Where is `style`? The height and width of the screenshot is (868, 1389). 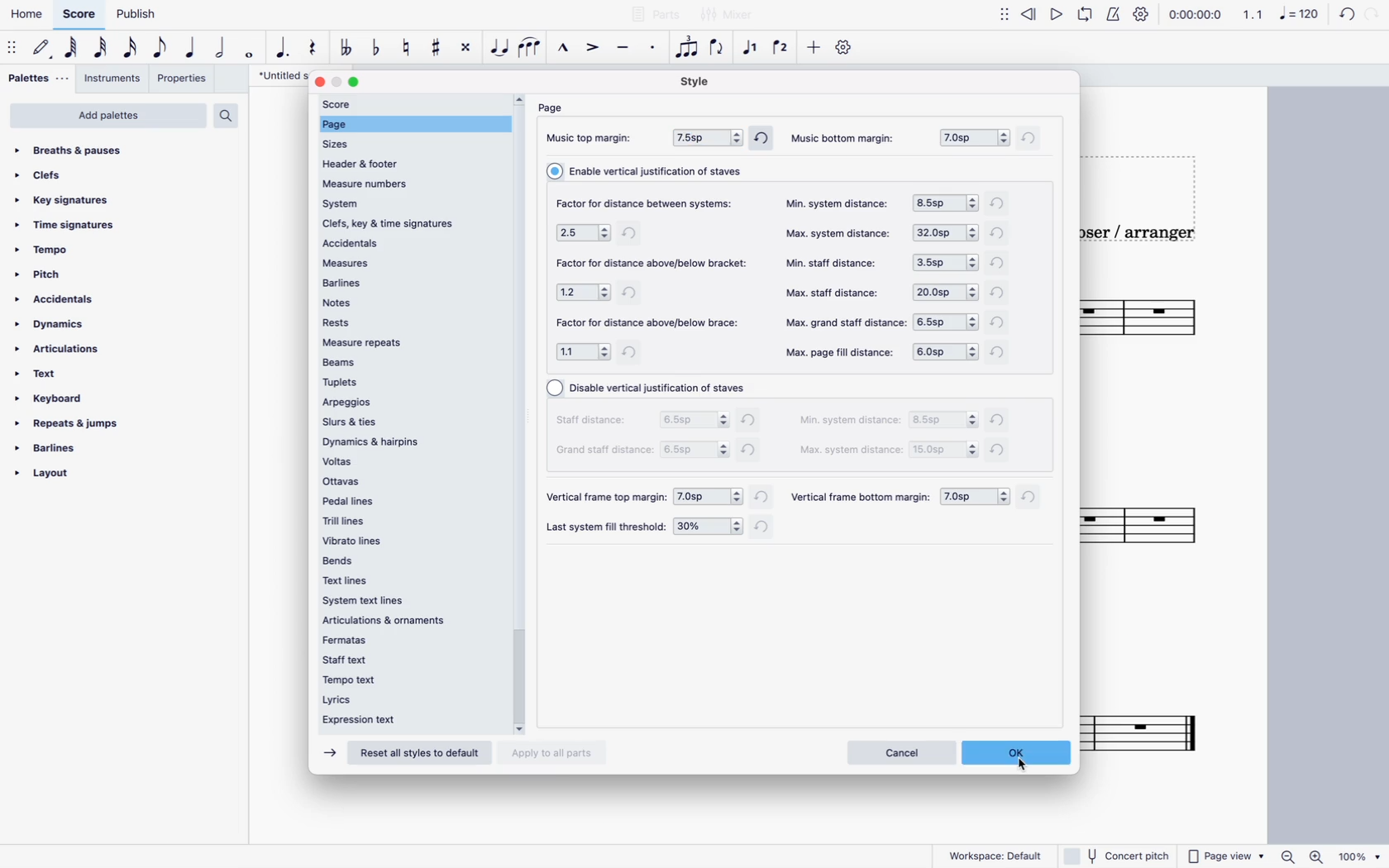
style is located at coordinates (699, 81).